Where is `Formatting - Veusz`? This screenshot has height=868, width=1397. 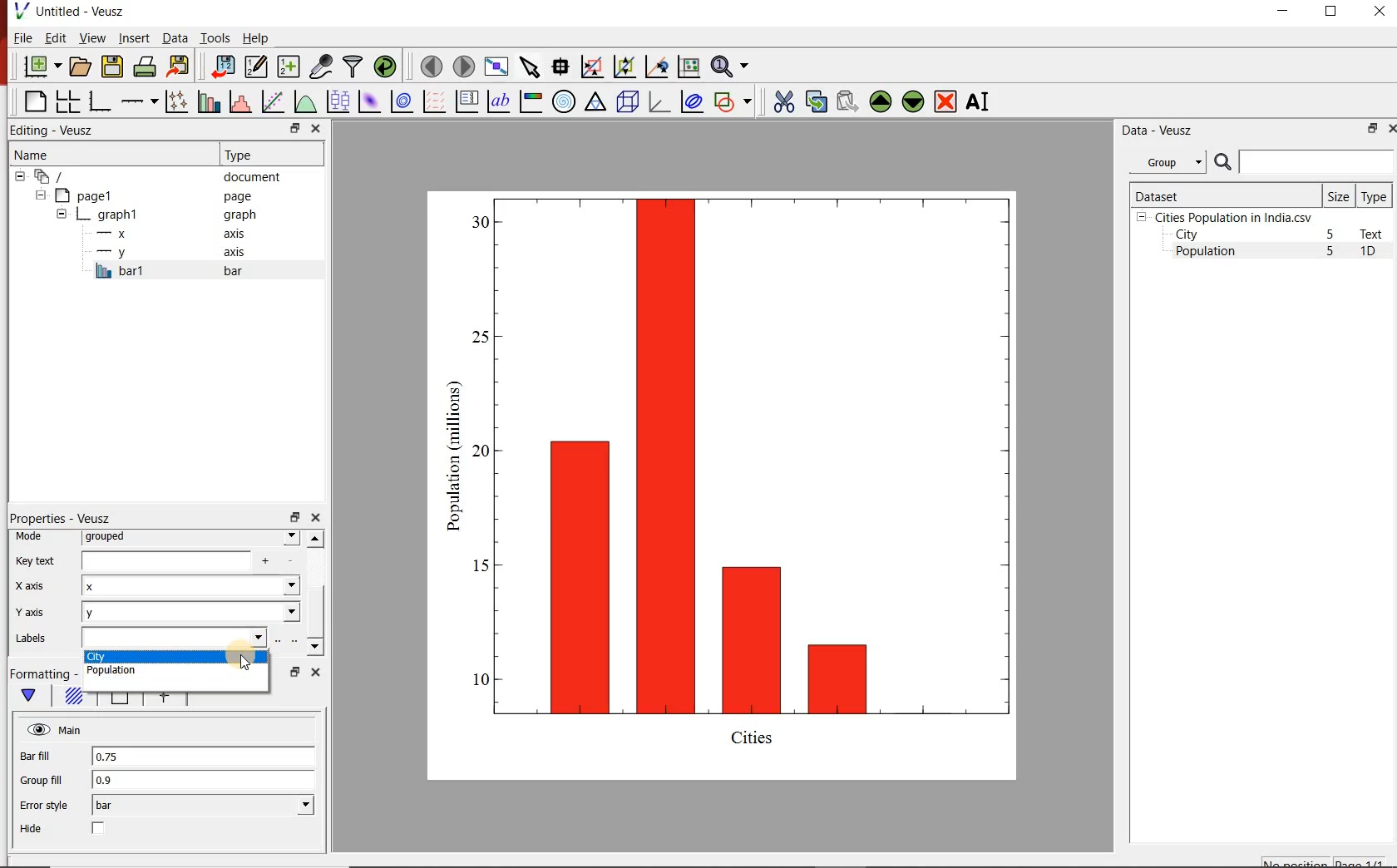
Formatting - Veusz is located at coordinates (42, 674).